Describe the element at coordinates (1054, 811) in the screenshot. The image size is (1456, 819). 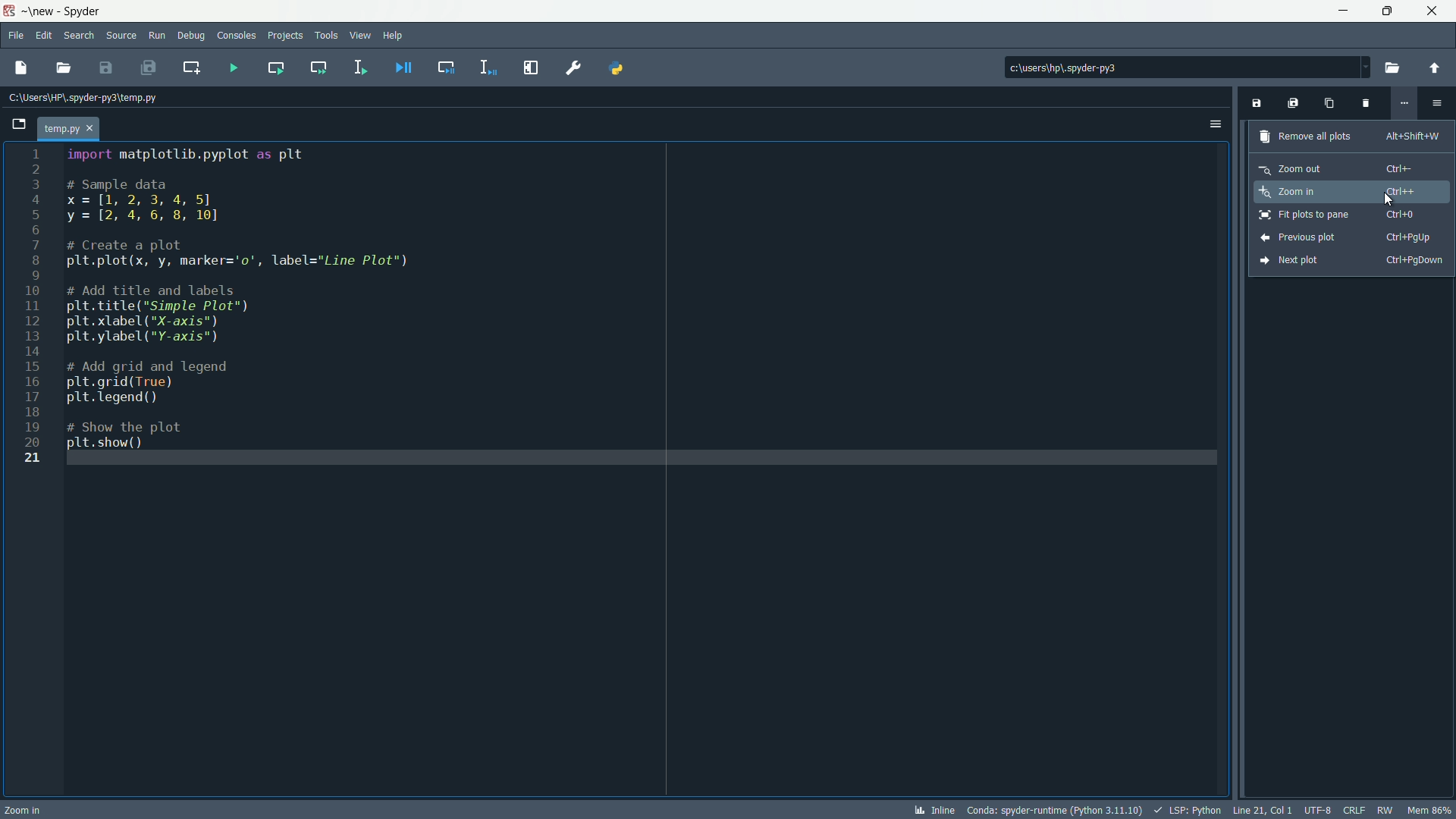
I see `python interpreter` at that location.